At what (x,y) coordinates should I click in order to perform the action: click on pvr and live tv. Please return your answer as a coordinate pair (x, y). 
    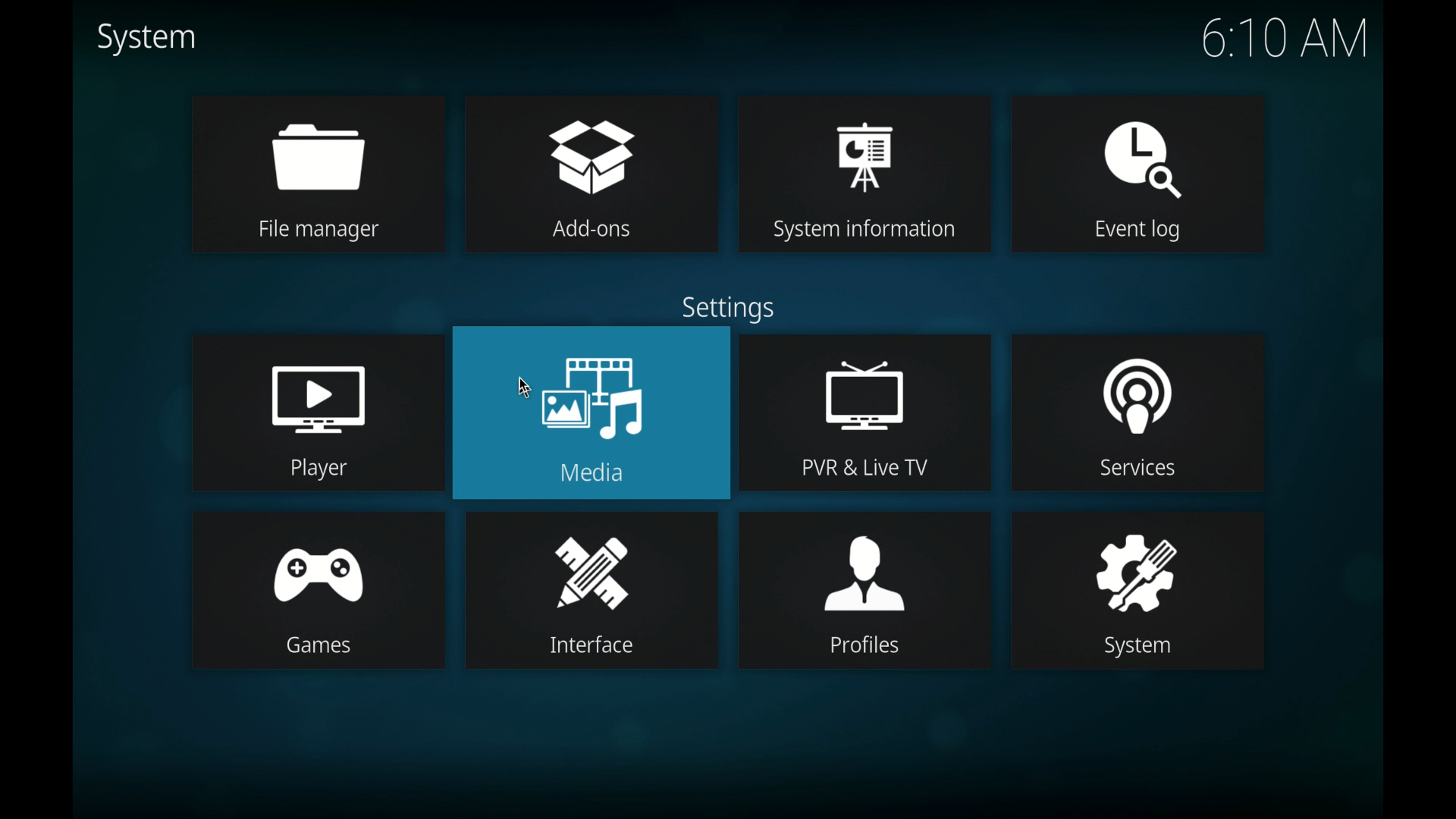
    Looking at the image, I should click on (864, 412).